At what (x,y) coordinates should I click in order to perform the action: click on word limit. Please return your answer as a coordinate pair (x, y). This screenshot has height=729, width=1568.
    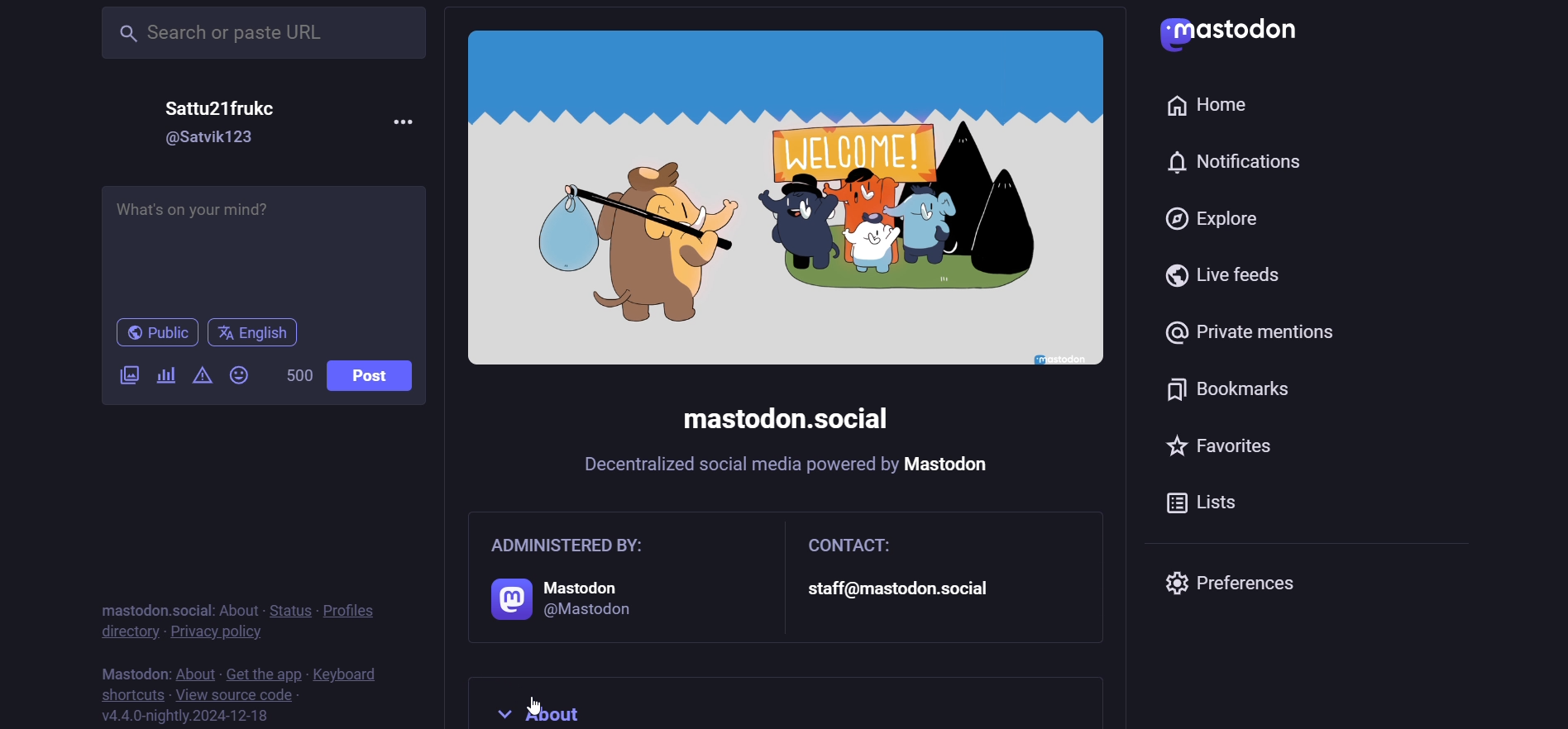
    Looking at the image, I should click on (296, 375).